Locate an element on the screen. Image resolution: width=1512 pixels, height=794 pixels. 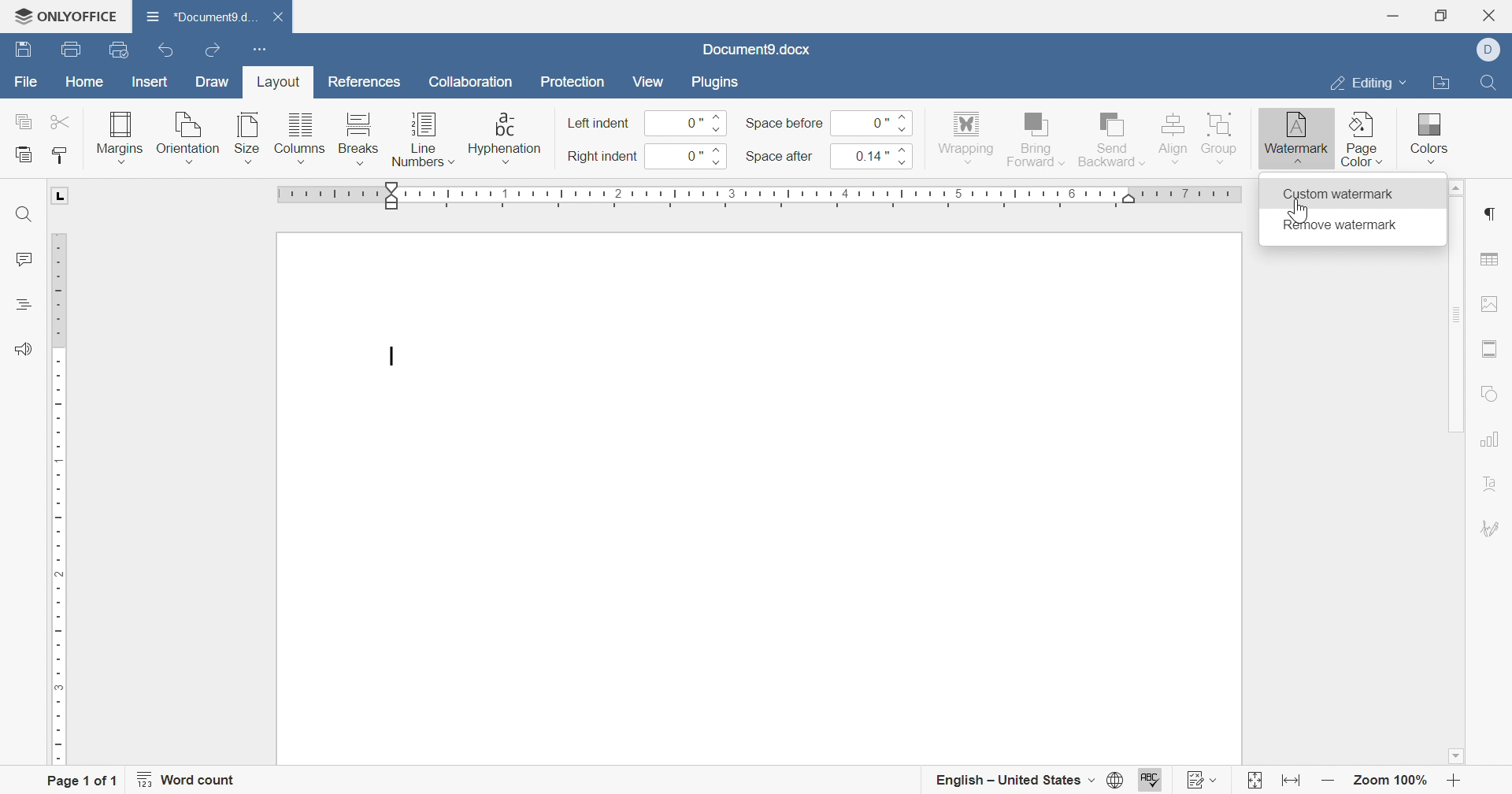
left indent is located at coordinates (599, 124).